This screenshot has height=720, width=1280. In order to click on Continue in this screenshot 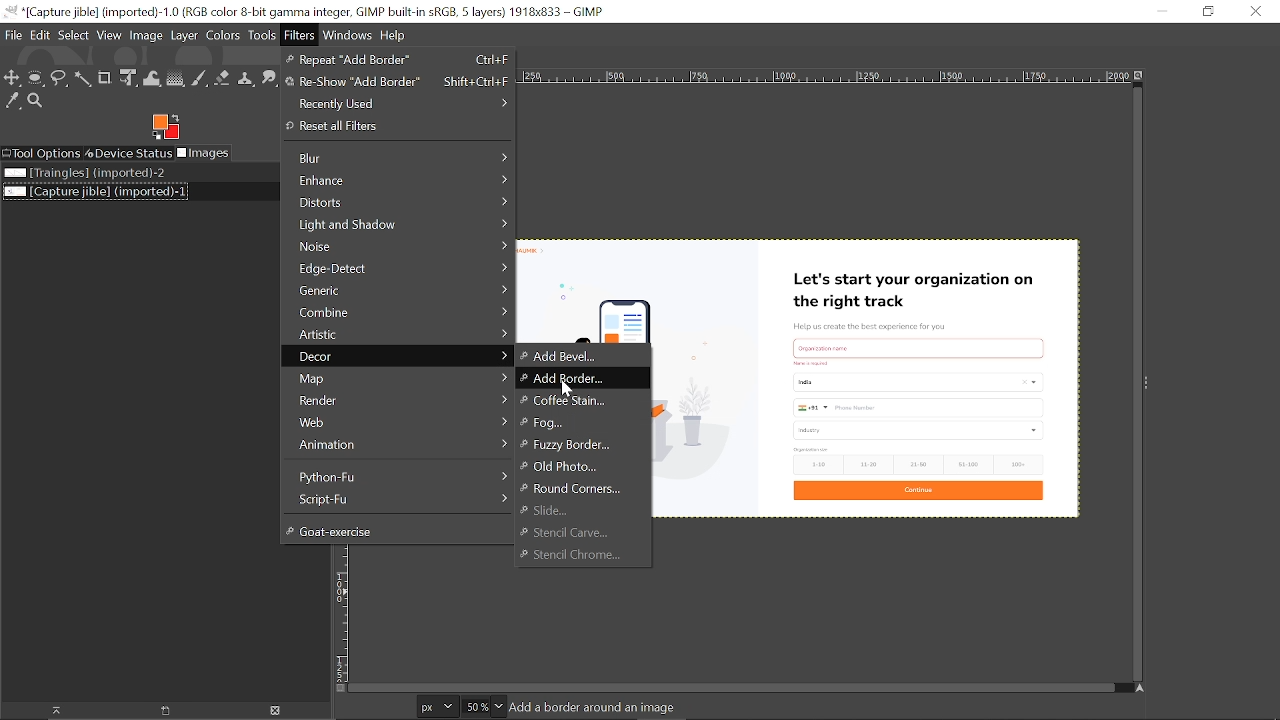, I will do `click(921, 491)`.